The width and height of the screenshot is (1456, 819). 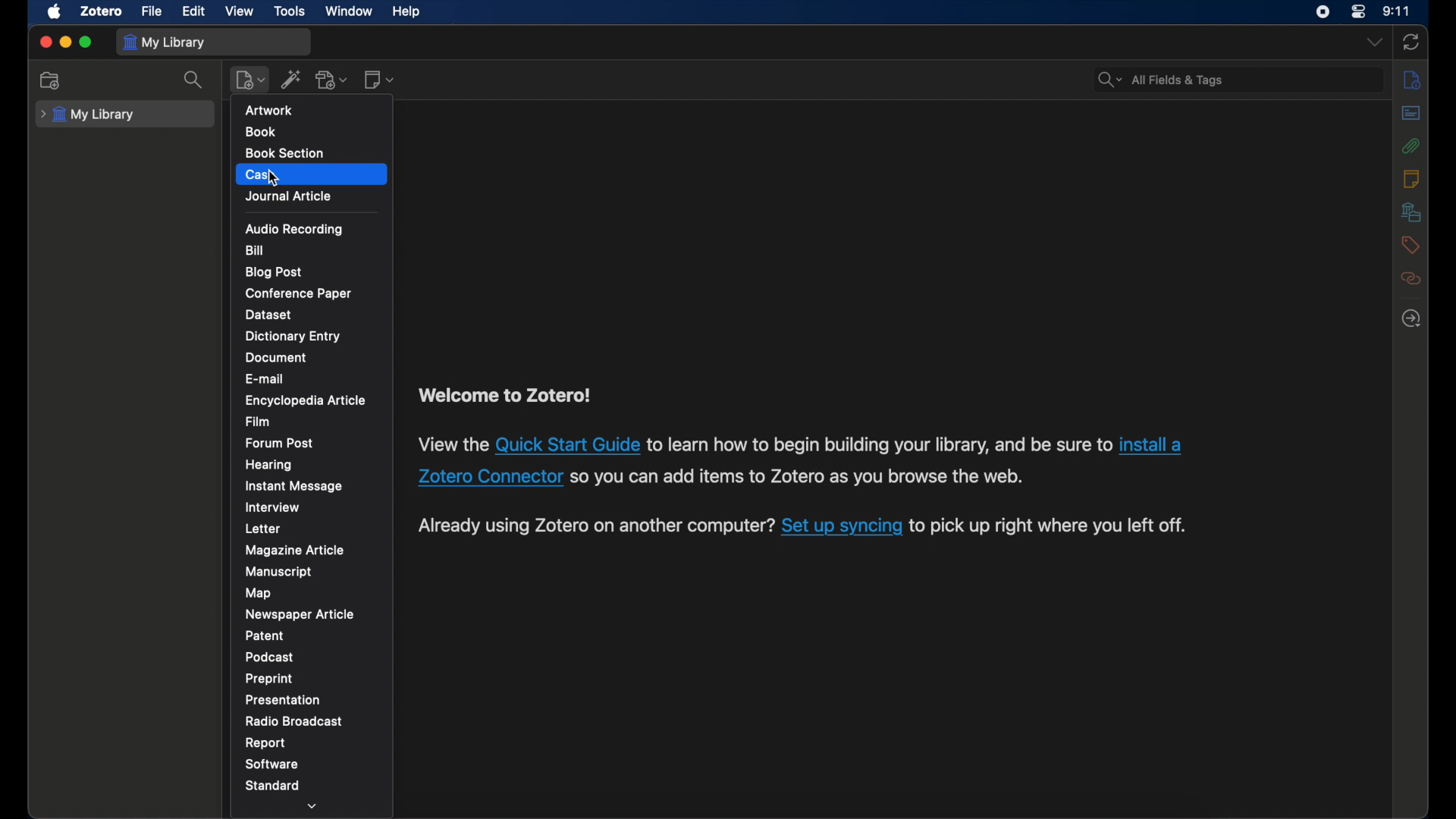 What do you see at coordinates (836, 468) in the screenshot?
I see `Welcome to Zotero!

View the Quick Start Guide to learn how to begin building your library, and be sure to install a
Zotero Connector so you can add items to Zotero as you browse the web.

Already using Zotero on another computer? Set up syncing to pick up right where you left off.` at bounding box center [836, 468].